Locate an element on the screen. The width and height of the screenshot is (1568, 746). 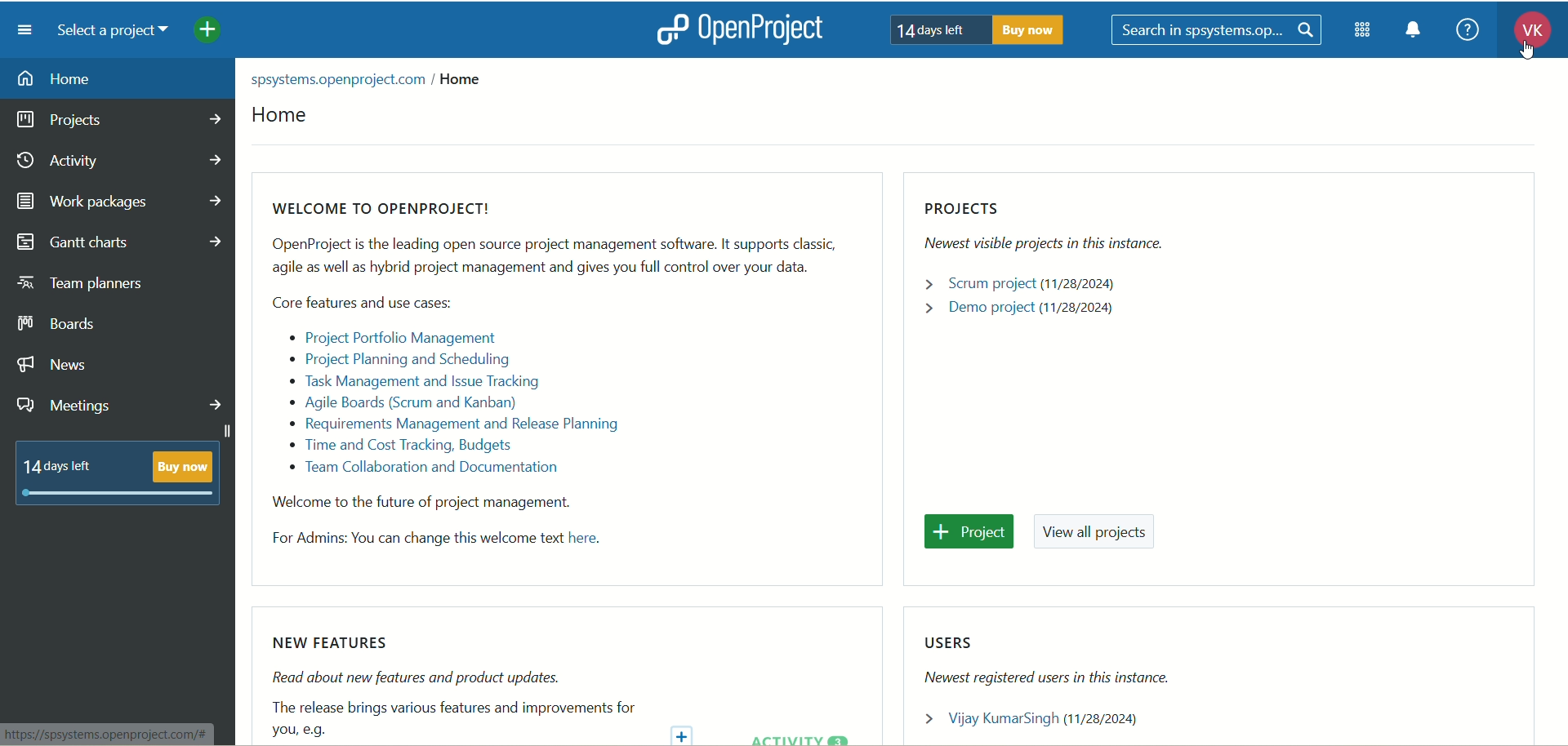
account is located at coordinates (1526, 33).